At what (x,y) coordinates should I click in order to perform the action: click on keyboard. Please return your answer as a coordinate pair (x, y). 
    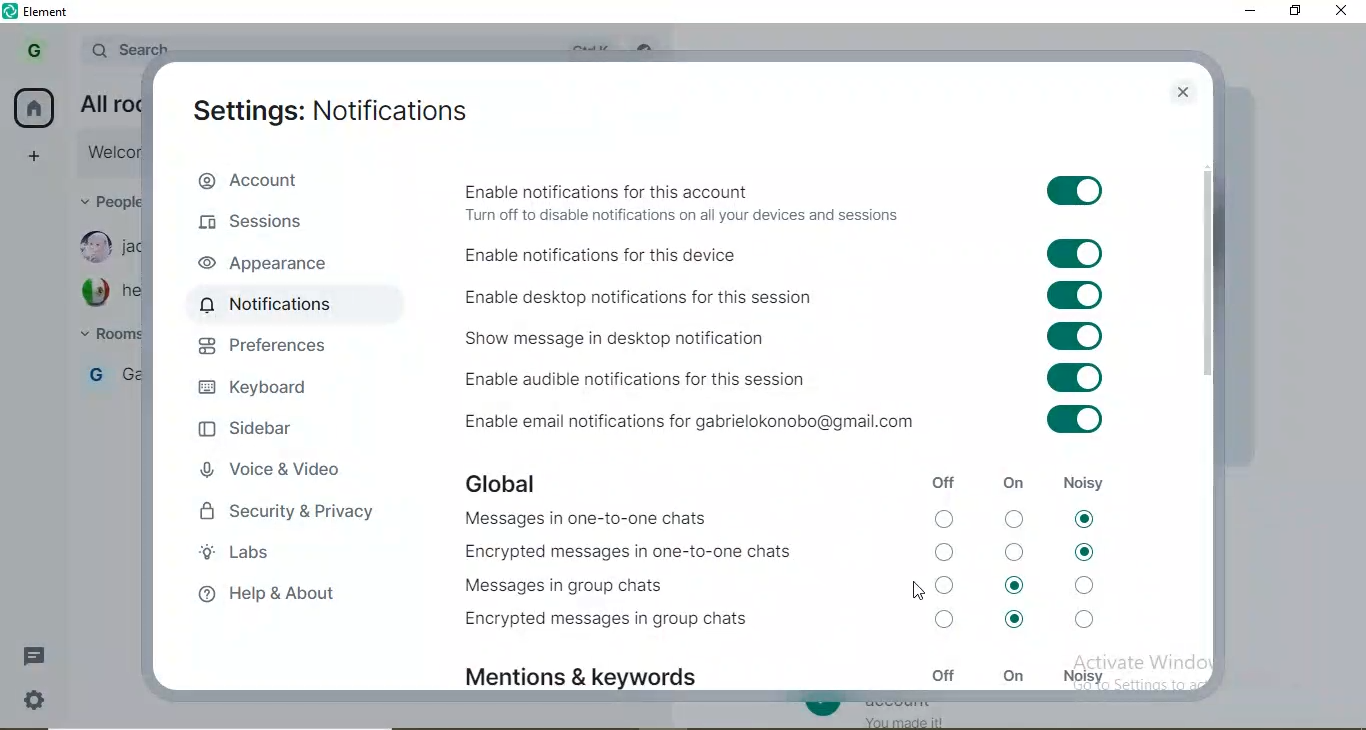
    Looking at the image, I should click on (258, 392).